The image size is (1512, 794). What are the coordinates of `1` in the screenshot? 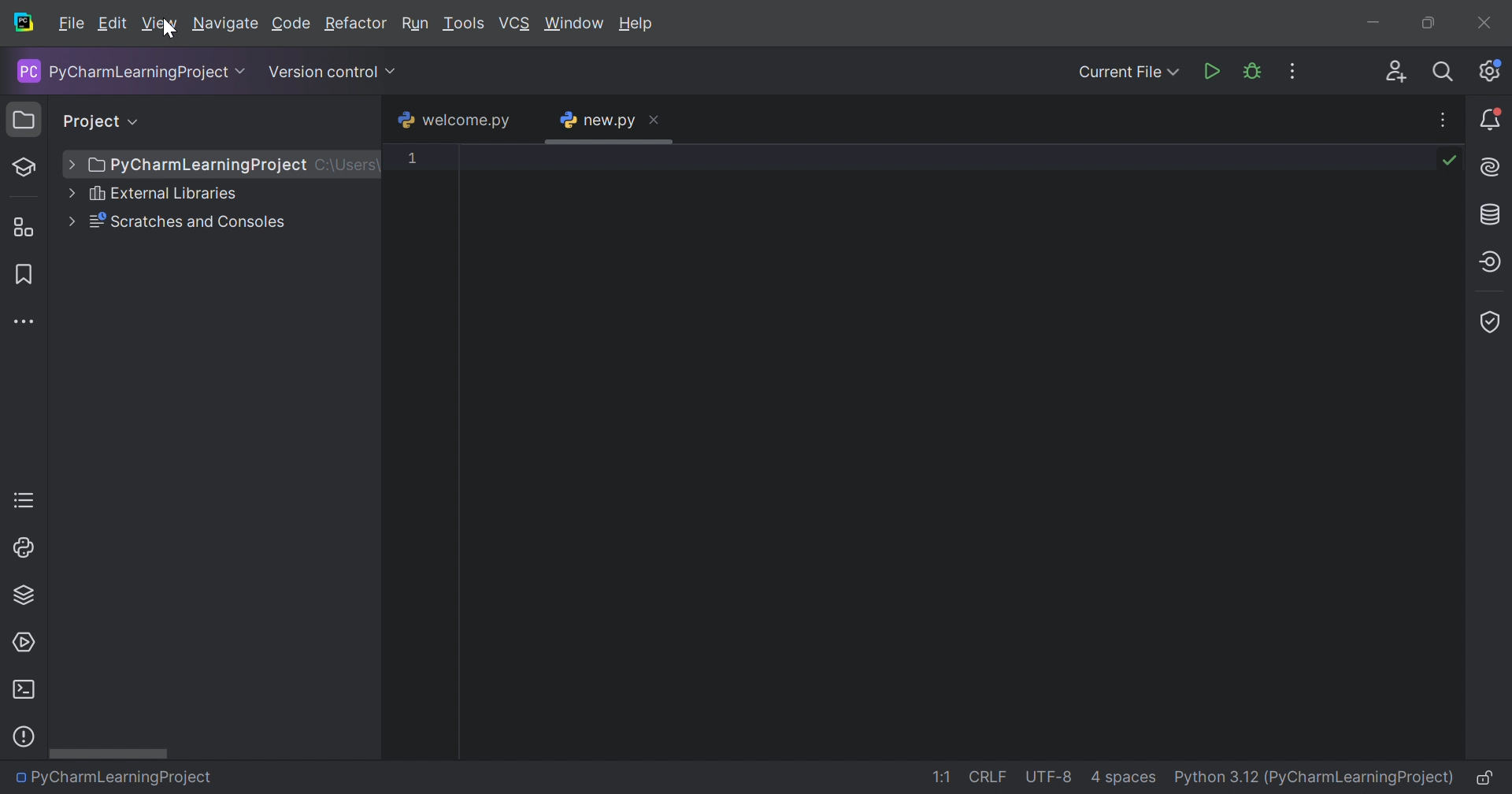 It's located at (414, 159).